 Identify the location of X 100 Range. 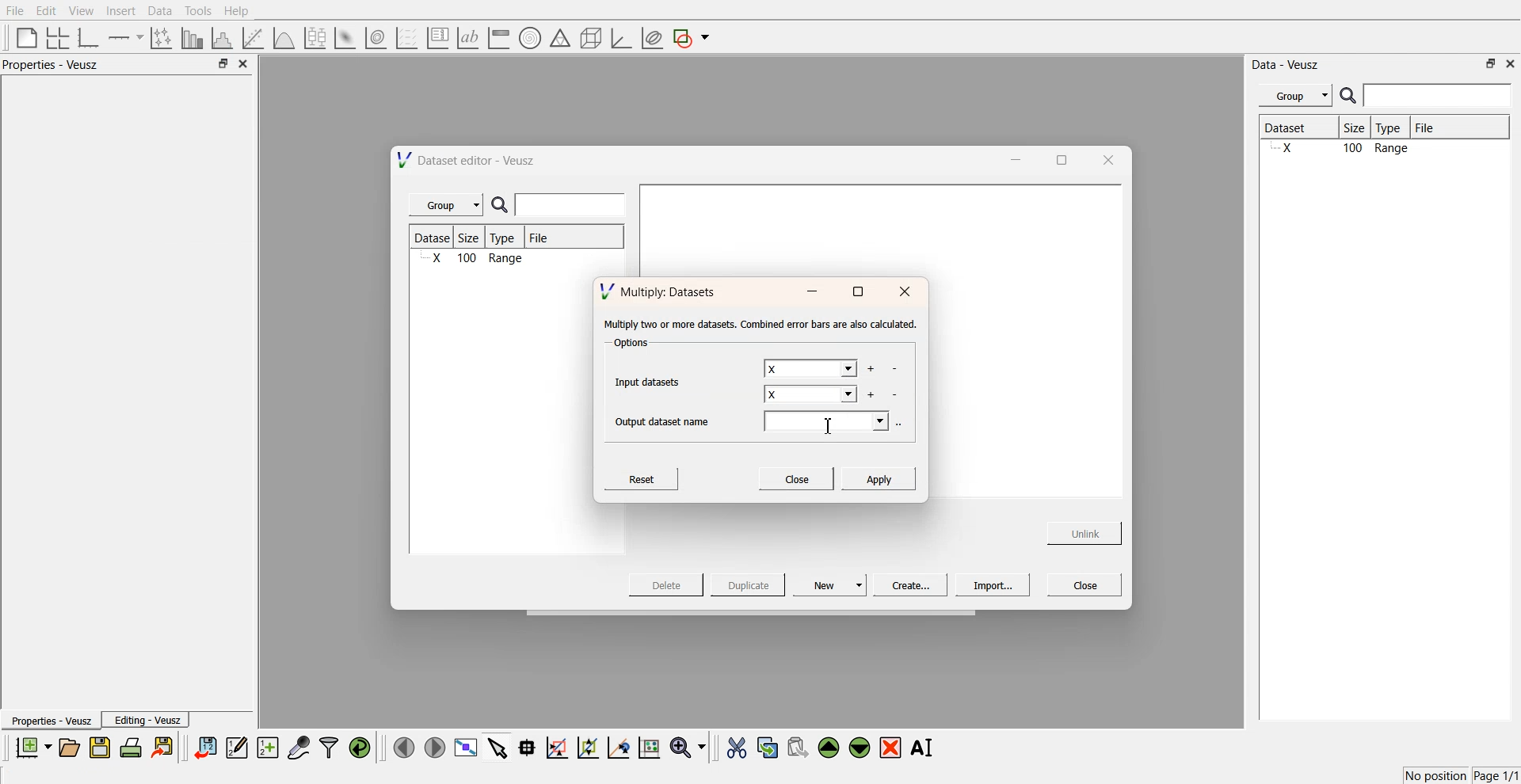
(1382, 150).